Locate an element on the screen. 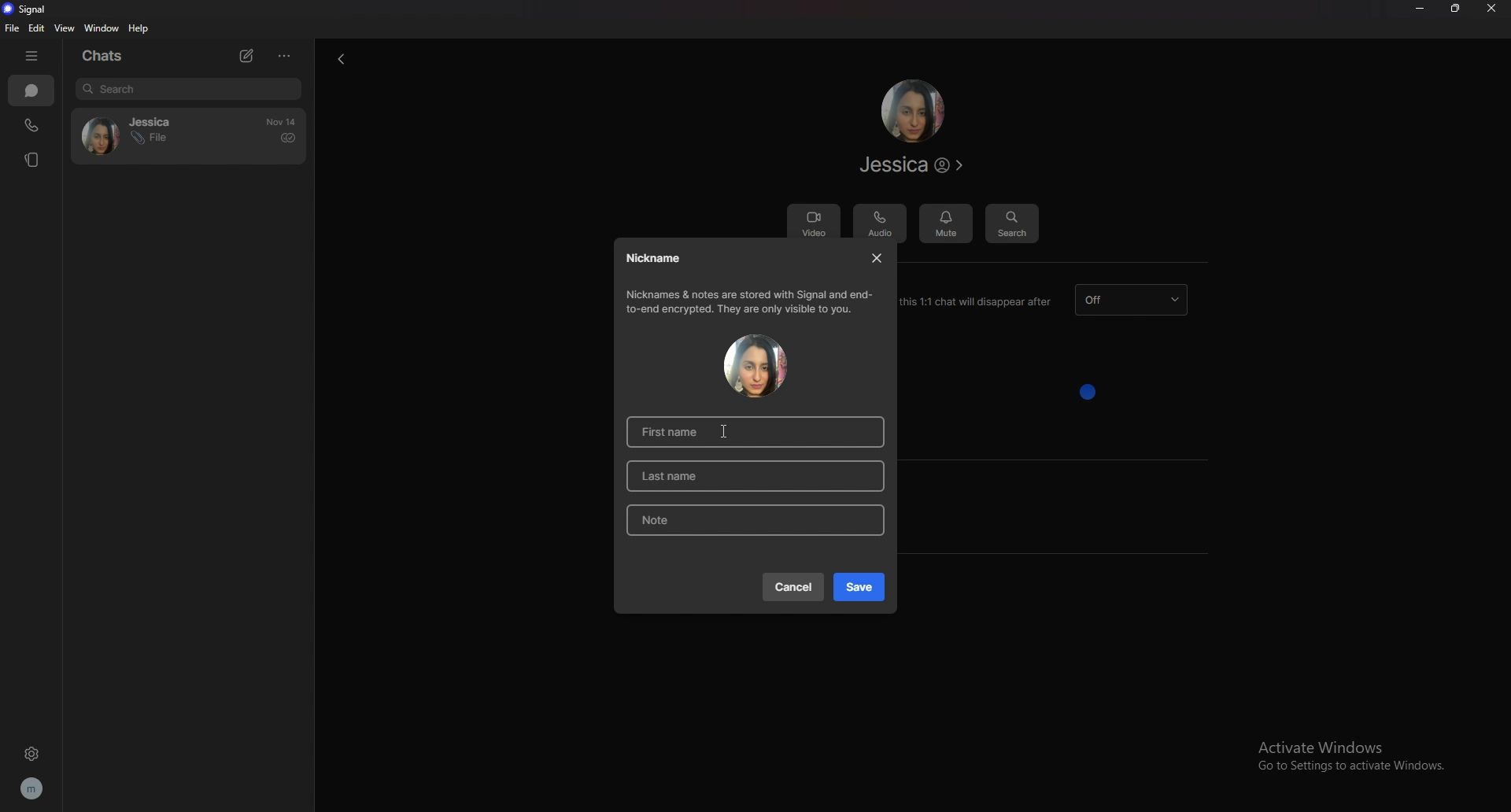 The width and height of the screenshot is (1511, 812). profile is located at coordinates (38, 789).